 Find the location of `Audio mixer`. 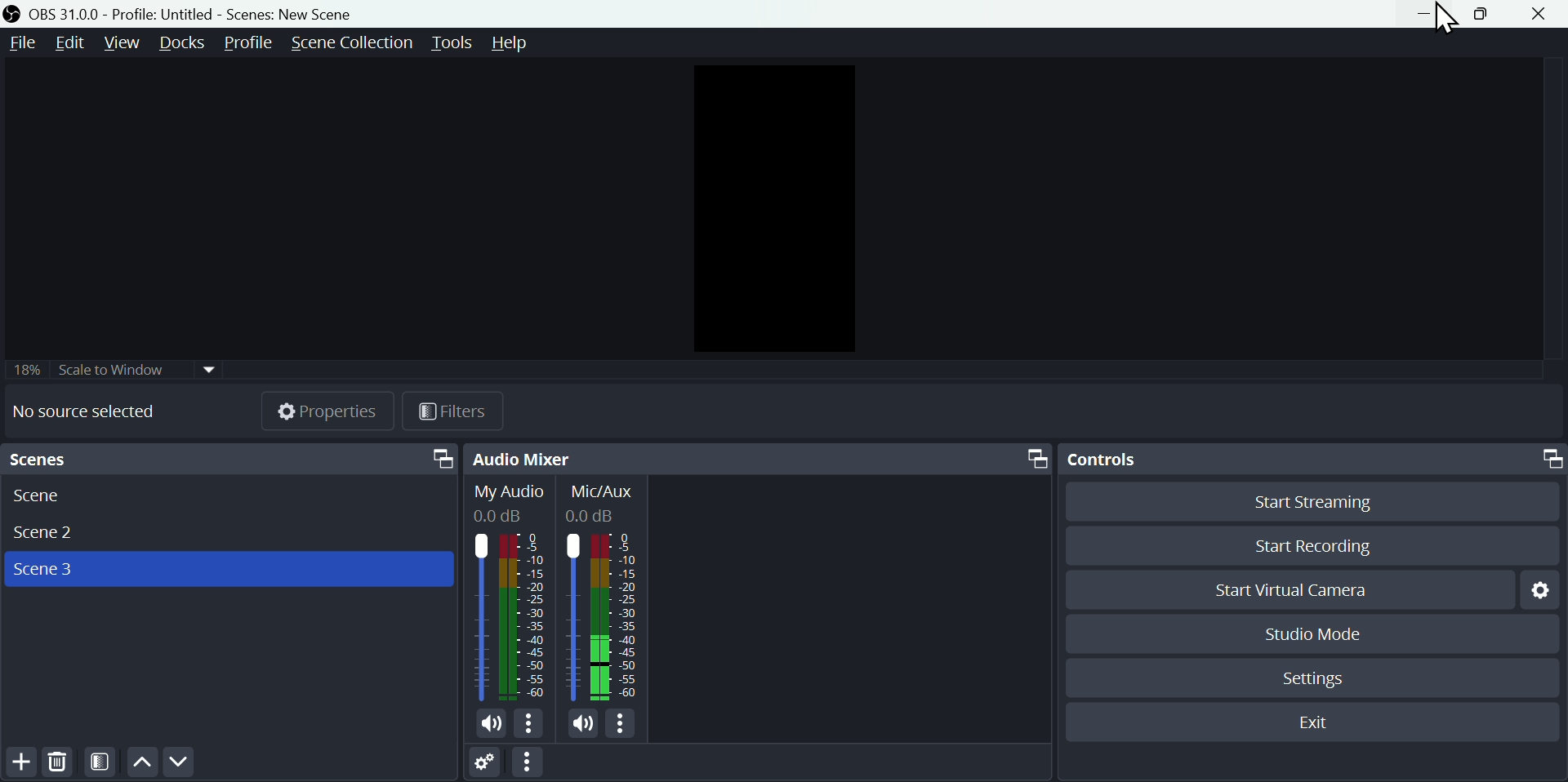

Audio mixer is located at coordinates (759, 459).